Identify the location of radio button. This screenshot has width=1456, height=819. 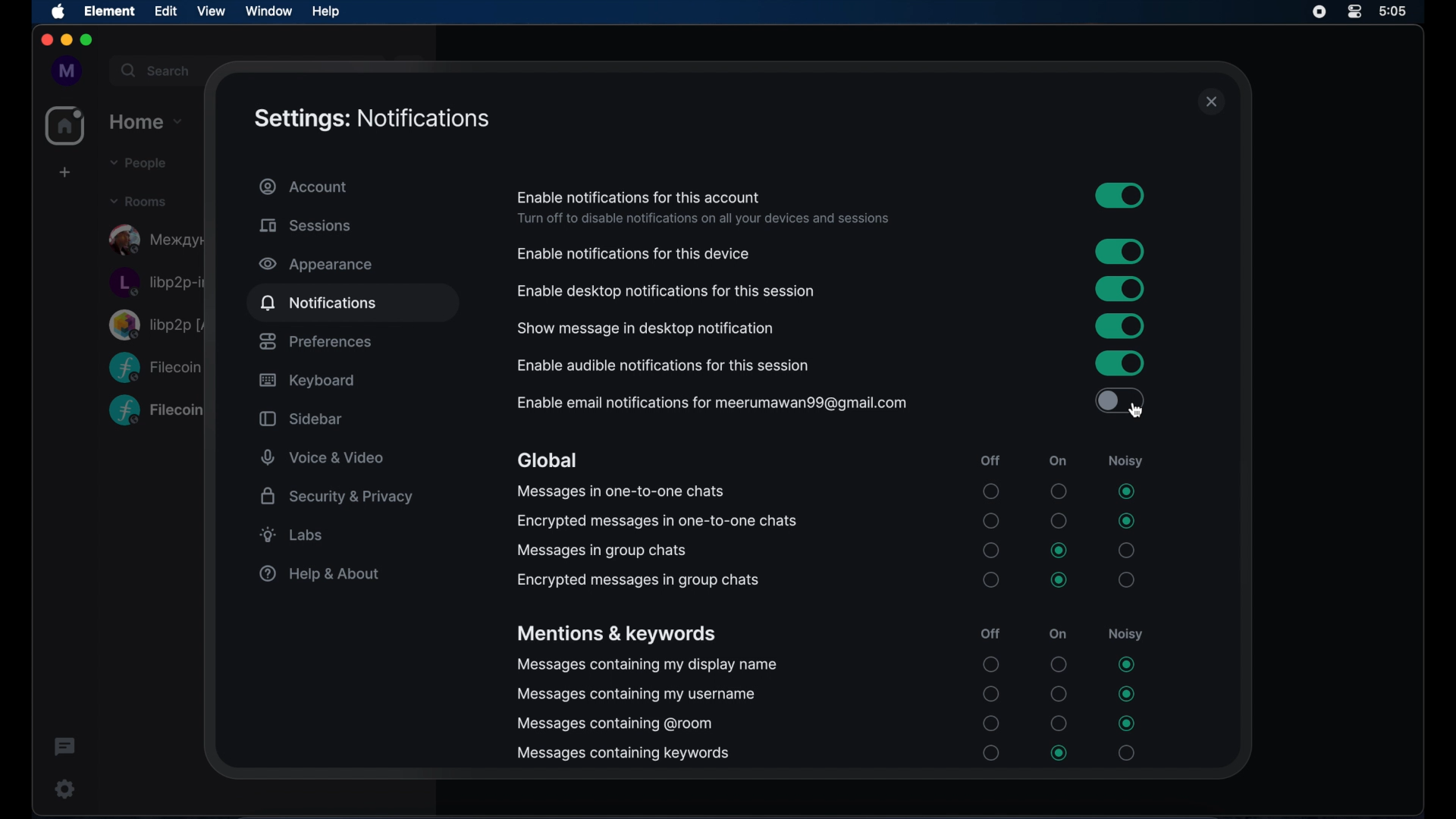
(1059, 580).